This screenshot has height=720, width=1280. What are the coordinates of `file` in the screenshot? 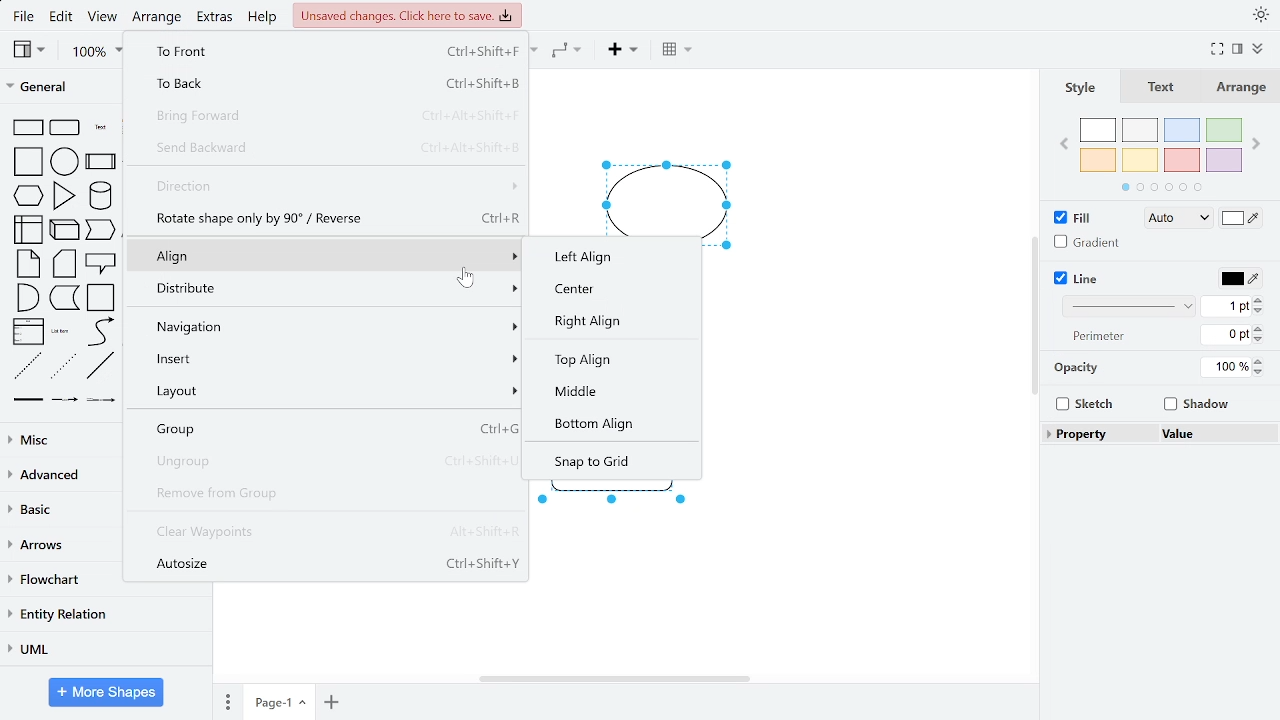 It's located at (24, 16).